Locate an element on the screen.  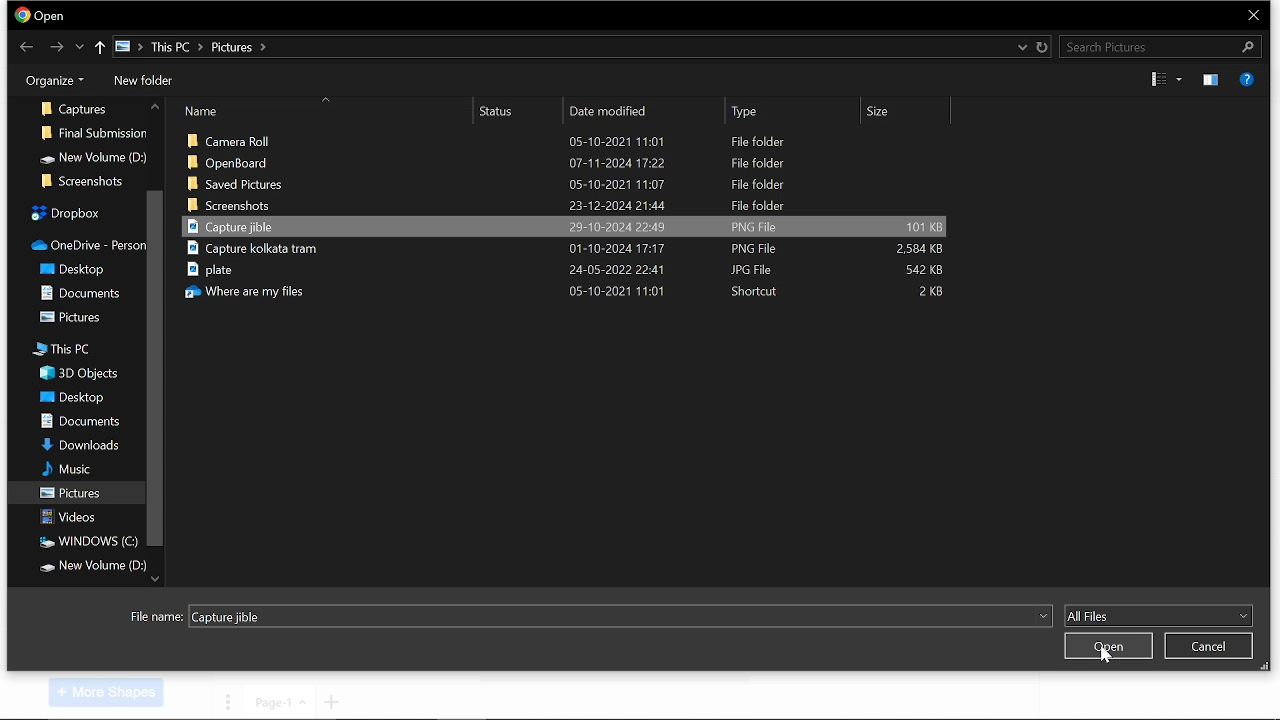
preview pane is located at coordinates (1209, 80).